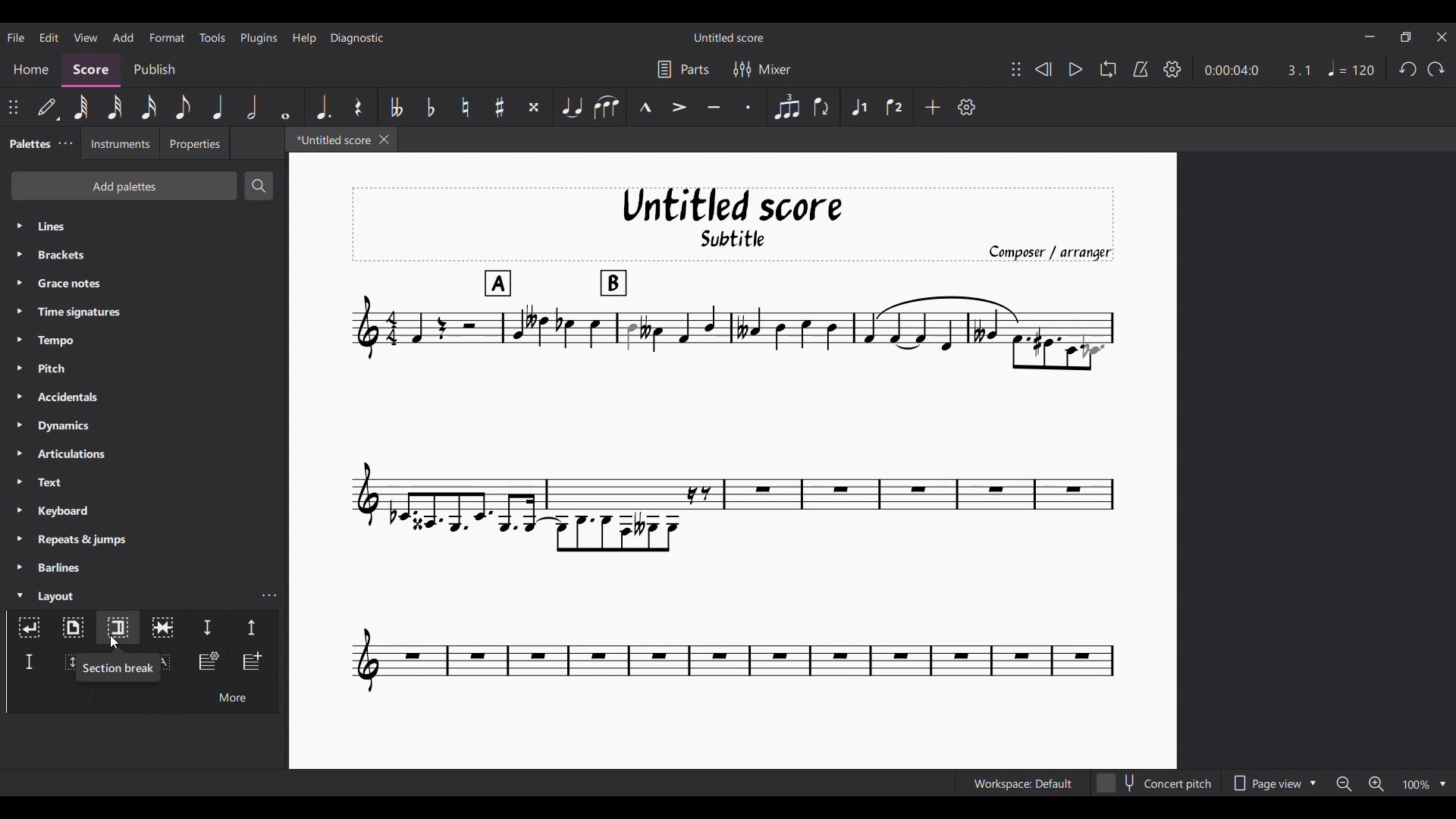  Describe the element at coordinates (115, 642) in the screenshot. I see `Cursor` at that location.